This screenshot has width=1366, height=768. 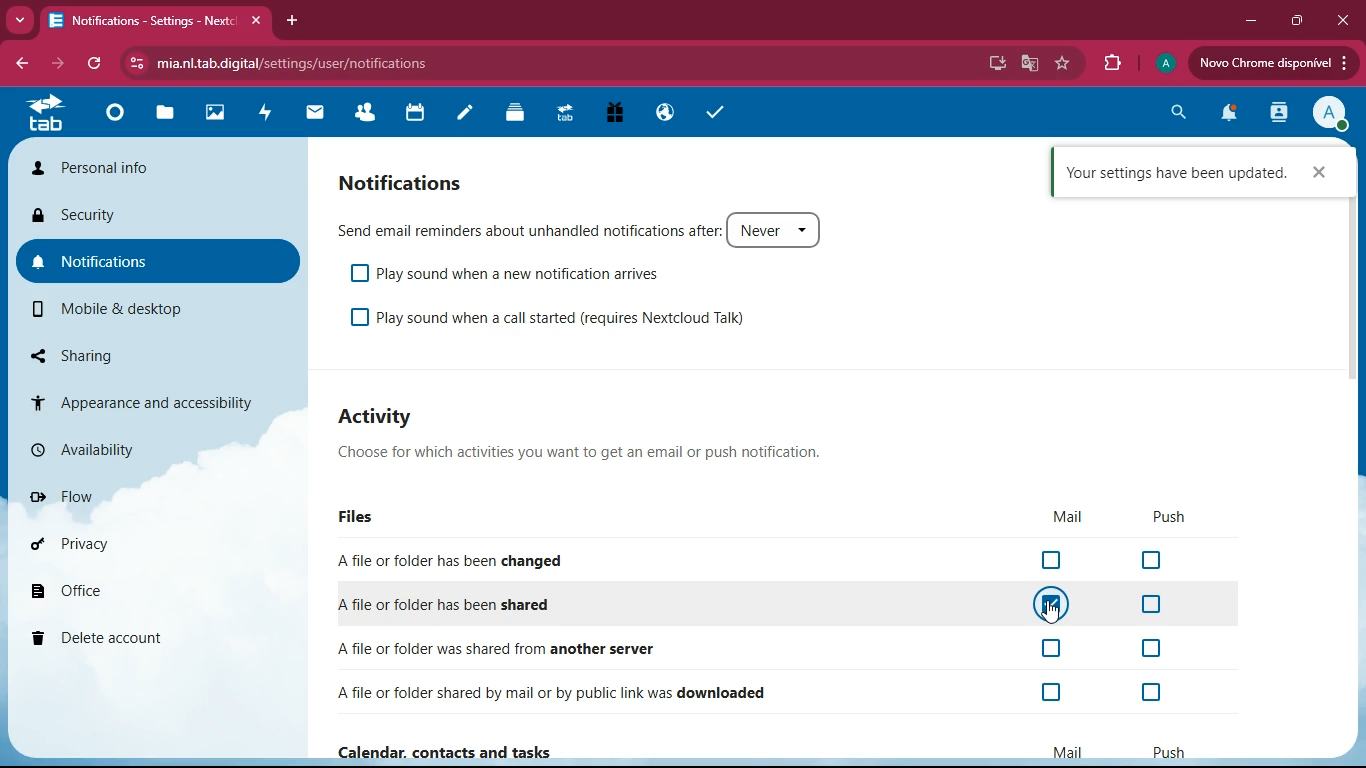 I want to click on Calendar, contacts and tasks, so click(x=445, y=753).